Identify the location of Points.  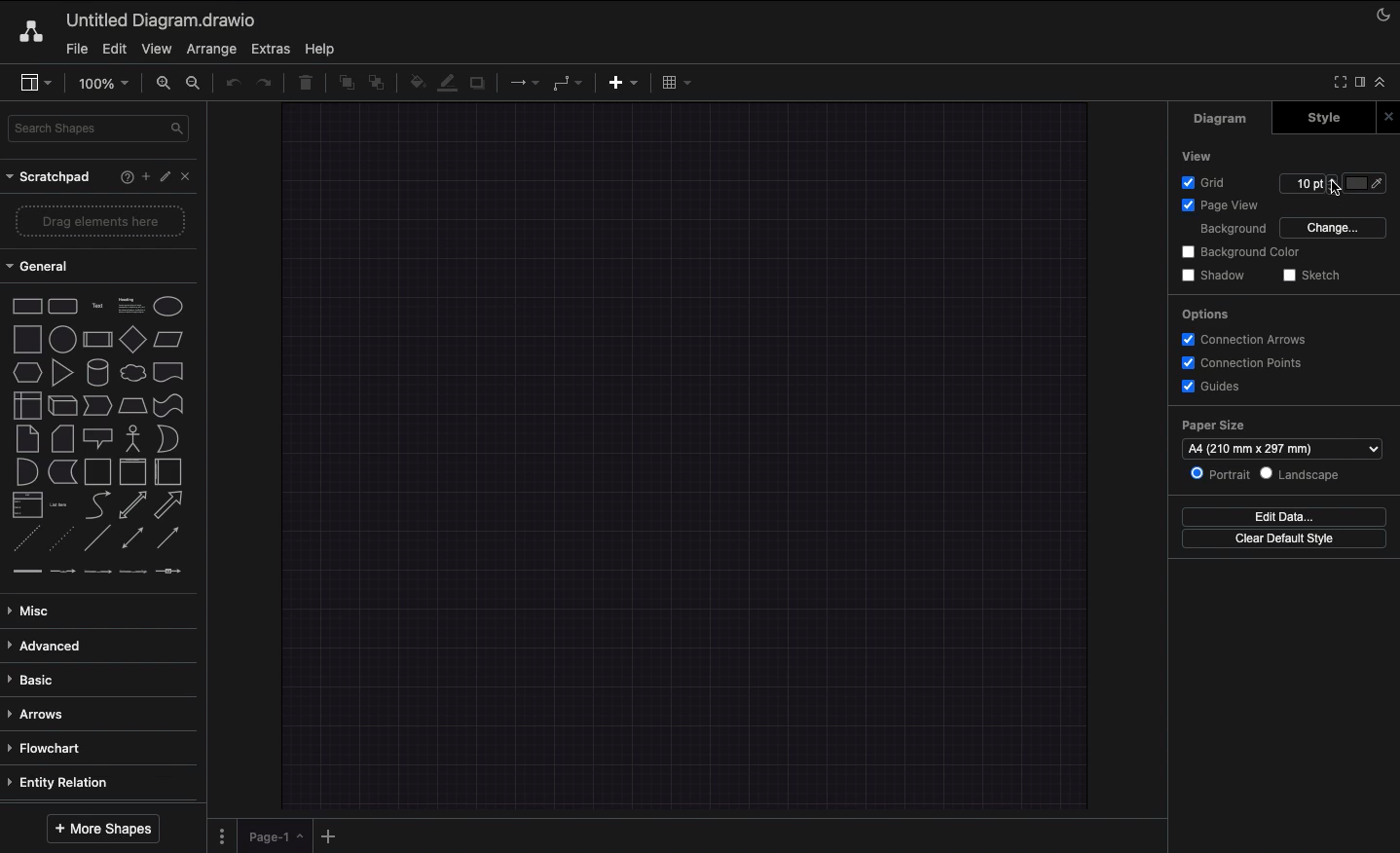
(1308, 183).